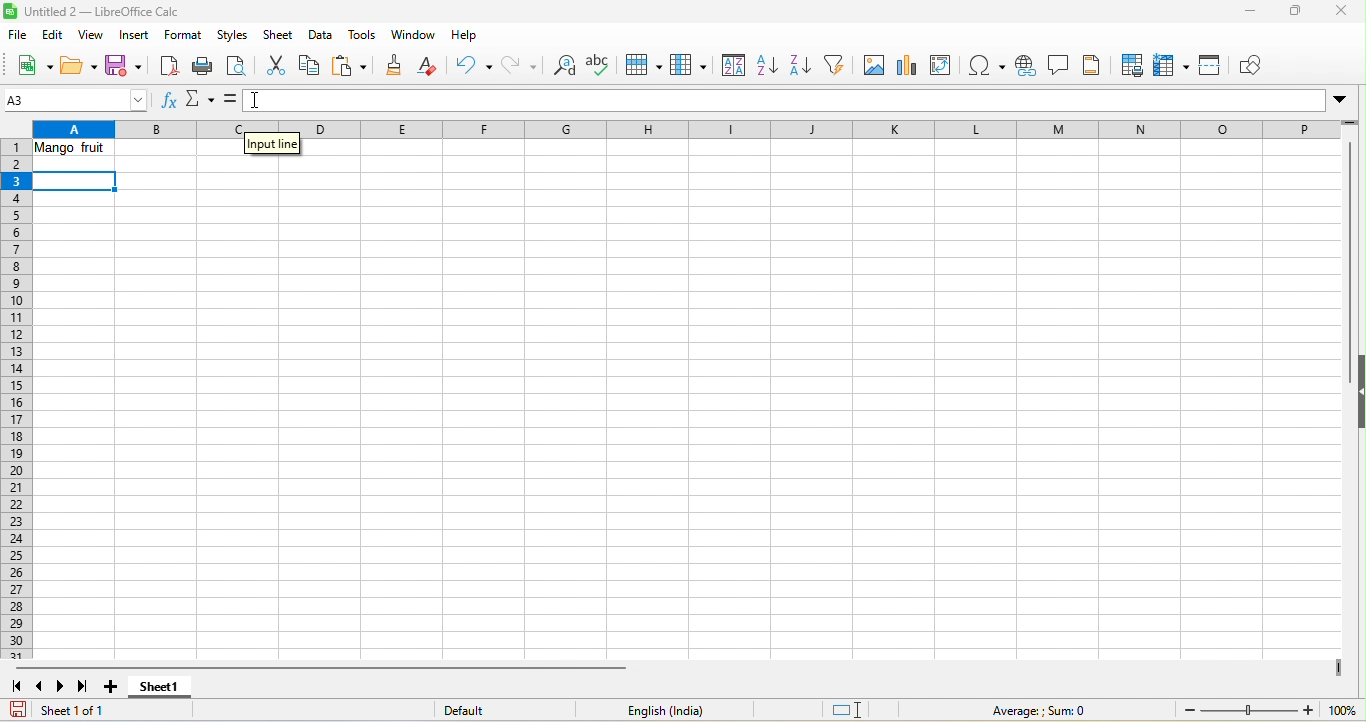 This screenshot has height=722, width=1366. I want to click on chart, so click(906, 64).